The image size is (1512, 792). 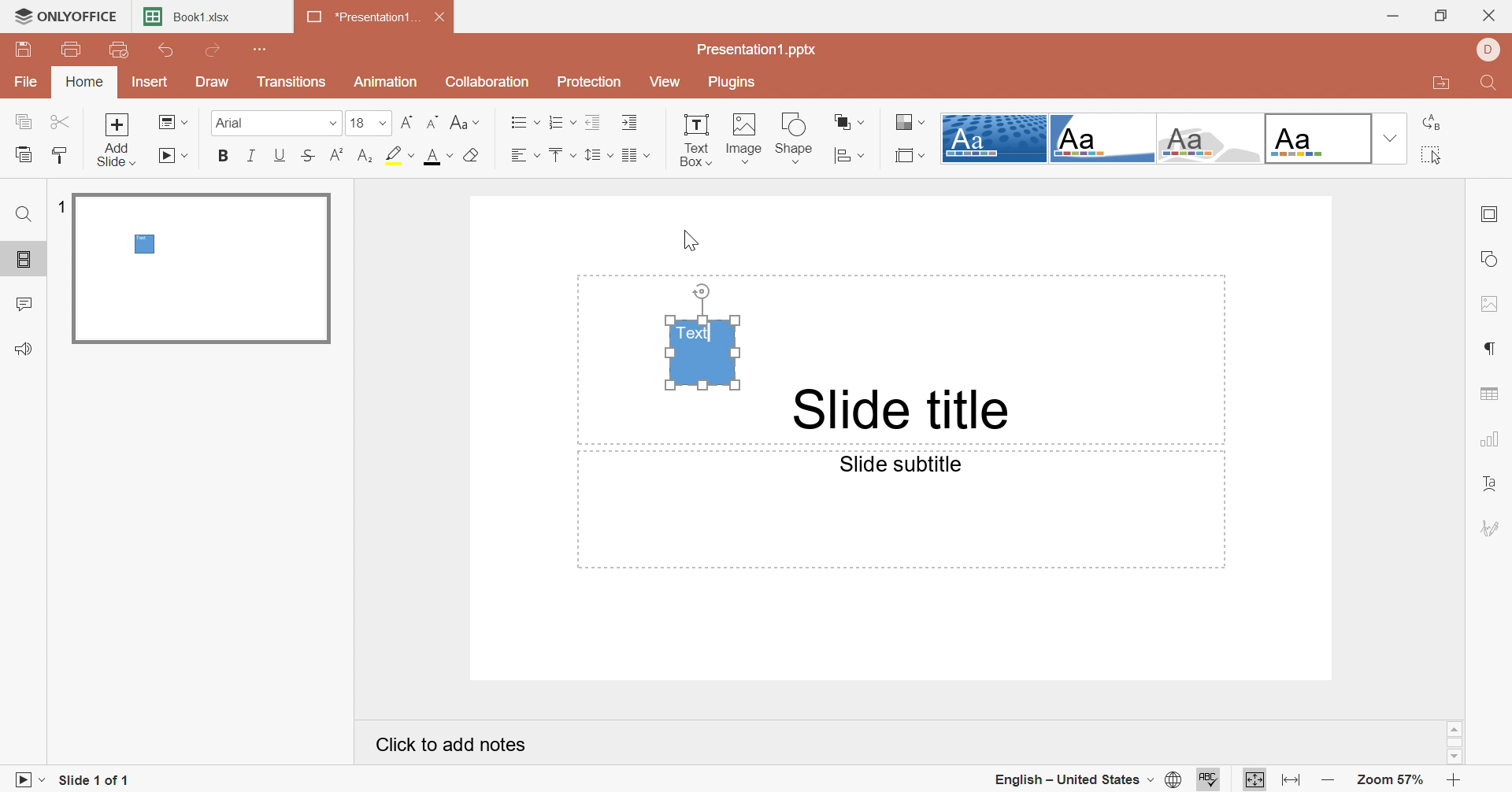 I want to click on Book1.xlsx, so click(x=188, y=19).